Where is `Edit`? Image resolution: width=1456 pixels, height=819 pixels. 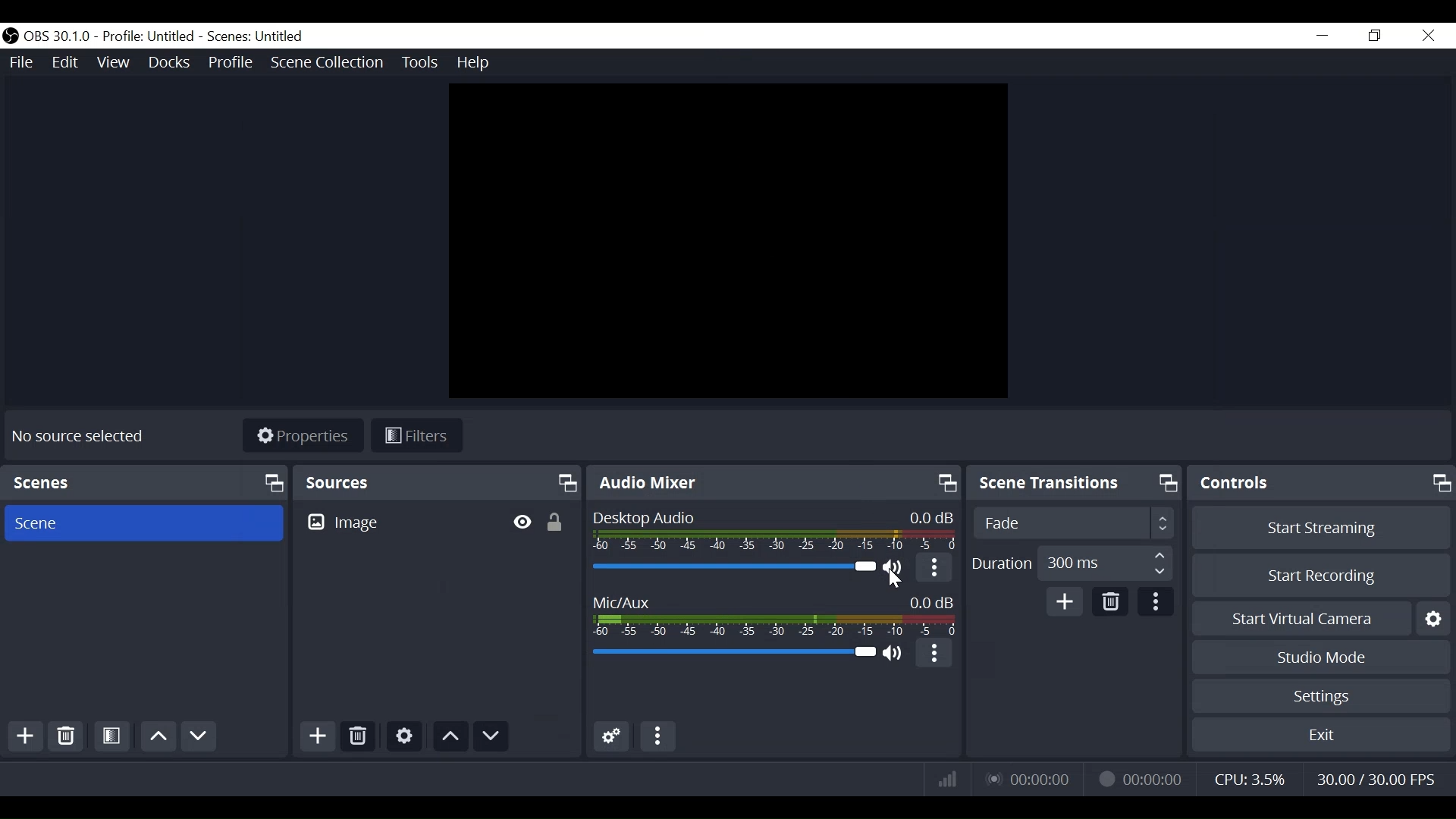 Edit is located at coordinates (64, 64).